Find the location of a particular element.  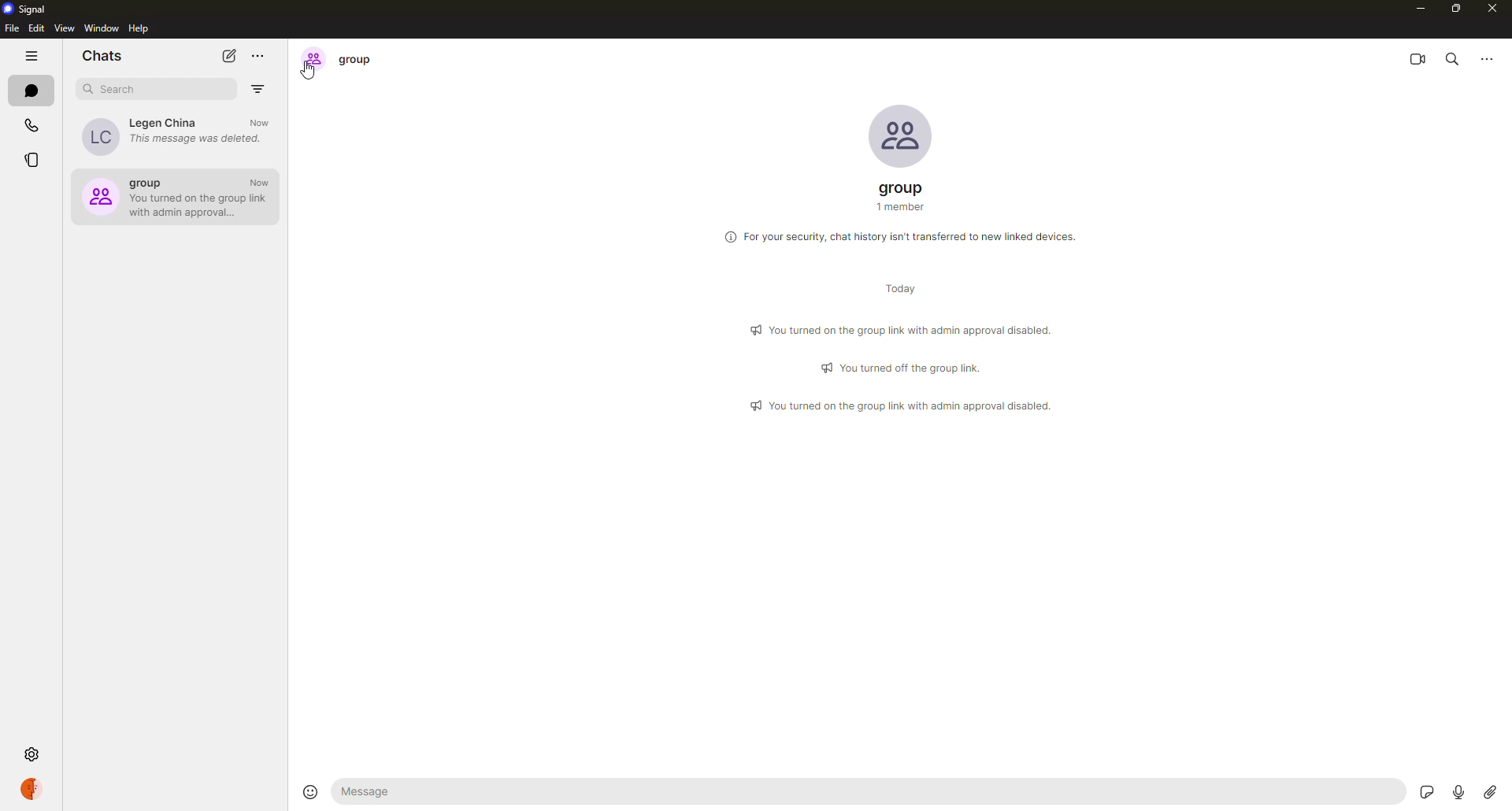

filter is located at coordinates (258, 89).